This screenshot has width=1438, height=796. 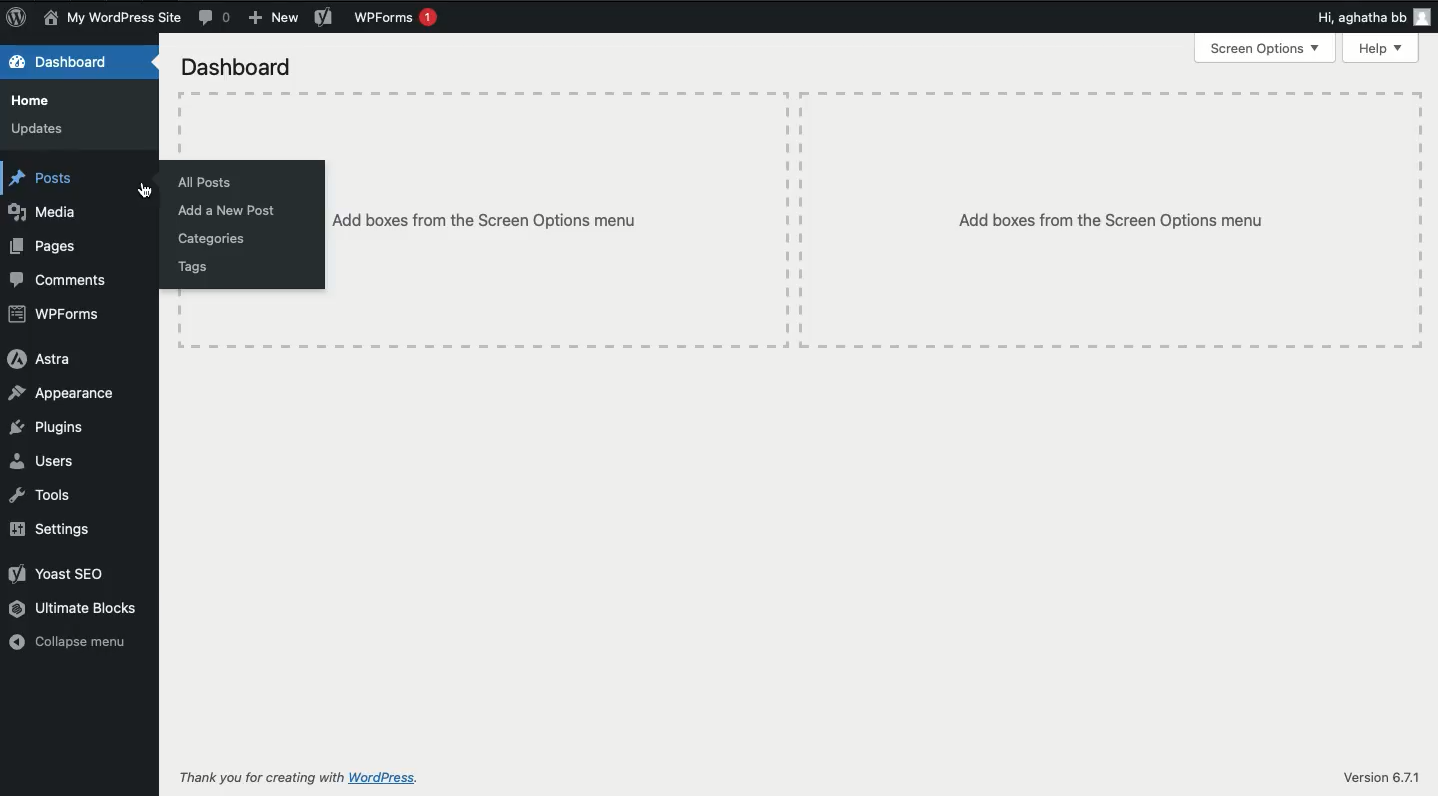 I want to click on Hi user, so click(x=1375, y=18).